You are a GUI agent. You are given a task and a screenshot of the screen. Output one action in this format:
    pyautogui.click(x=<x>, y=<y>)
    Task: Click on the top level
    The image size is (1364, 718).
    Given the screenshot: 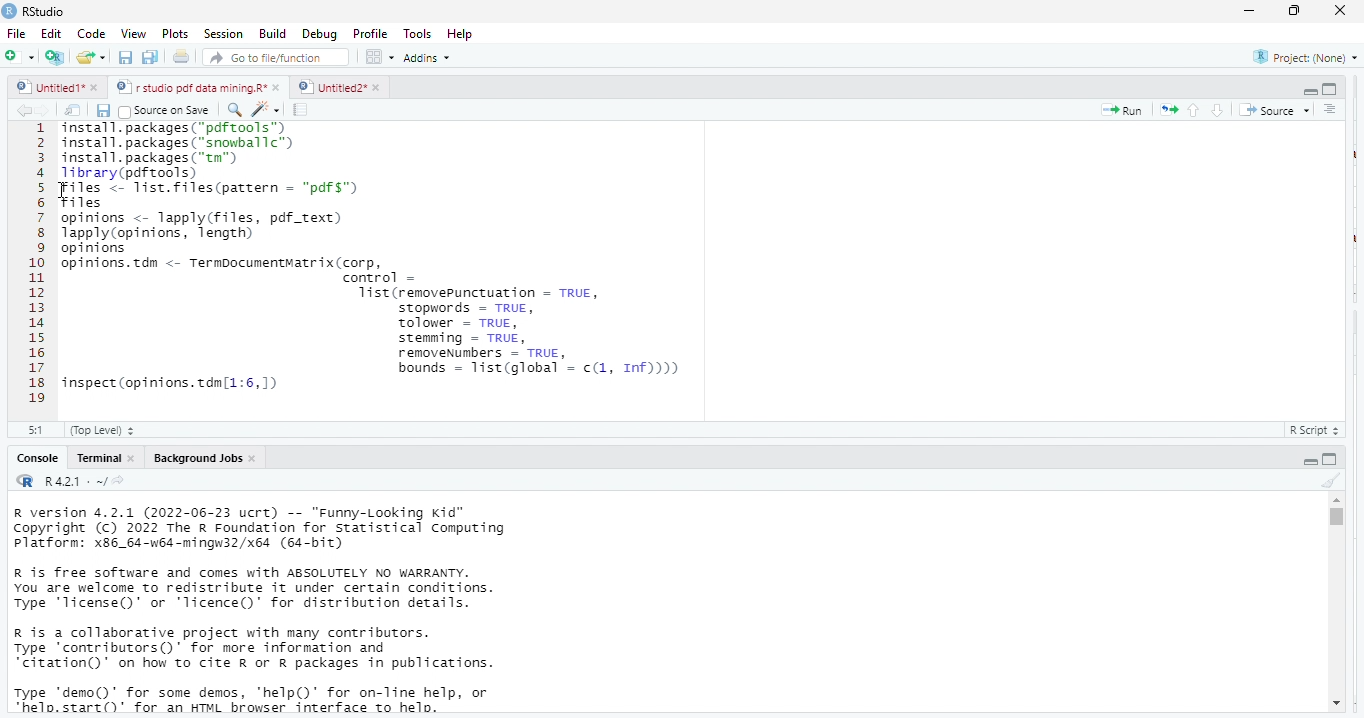 What is the action you would take?
    pyautogui.click(x=108, y=430)
    